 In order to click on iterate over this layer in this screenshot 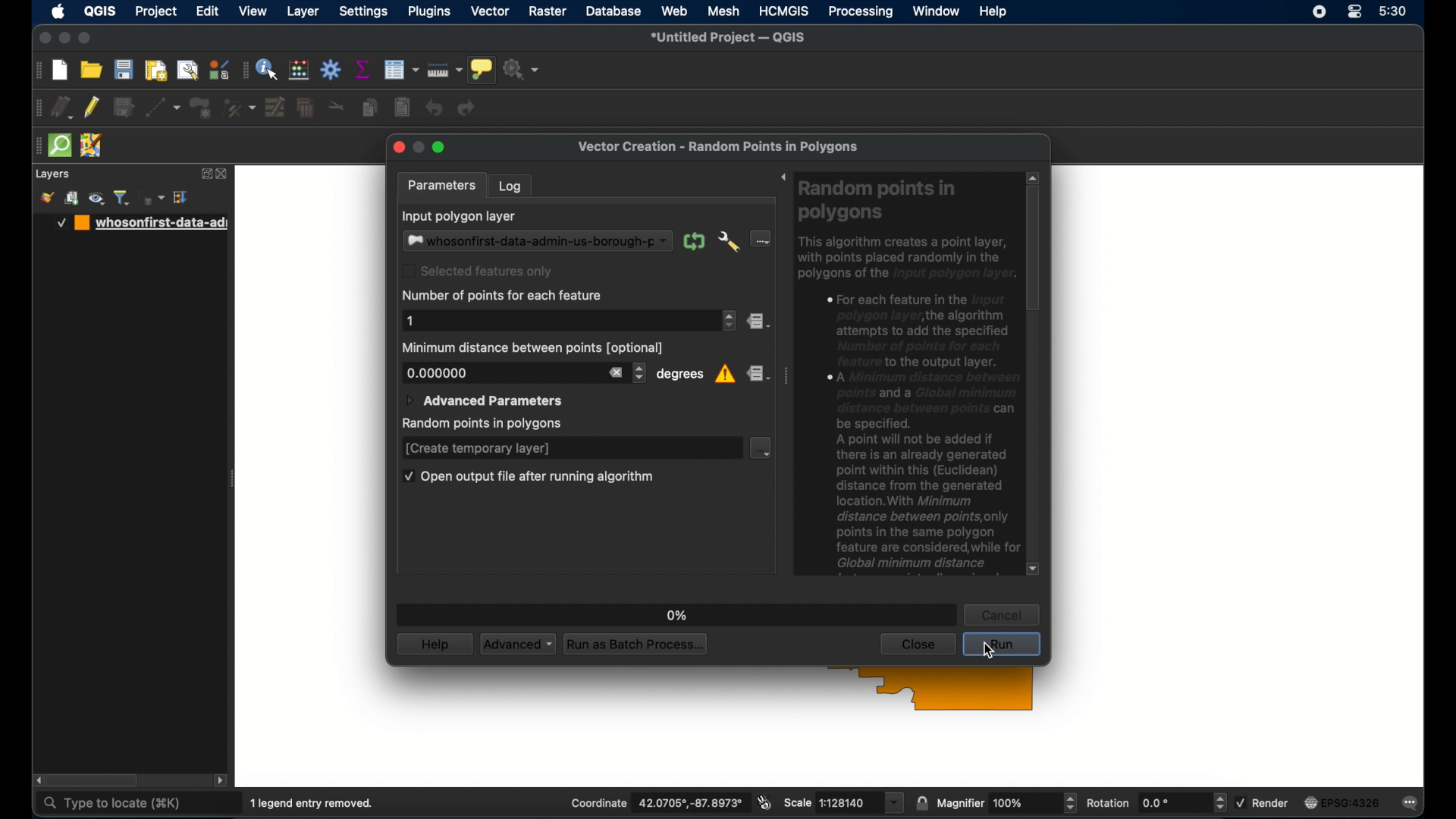, I will do `click(693, 240)`.